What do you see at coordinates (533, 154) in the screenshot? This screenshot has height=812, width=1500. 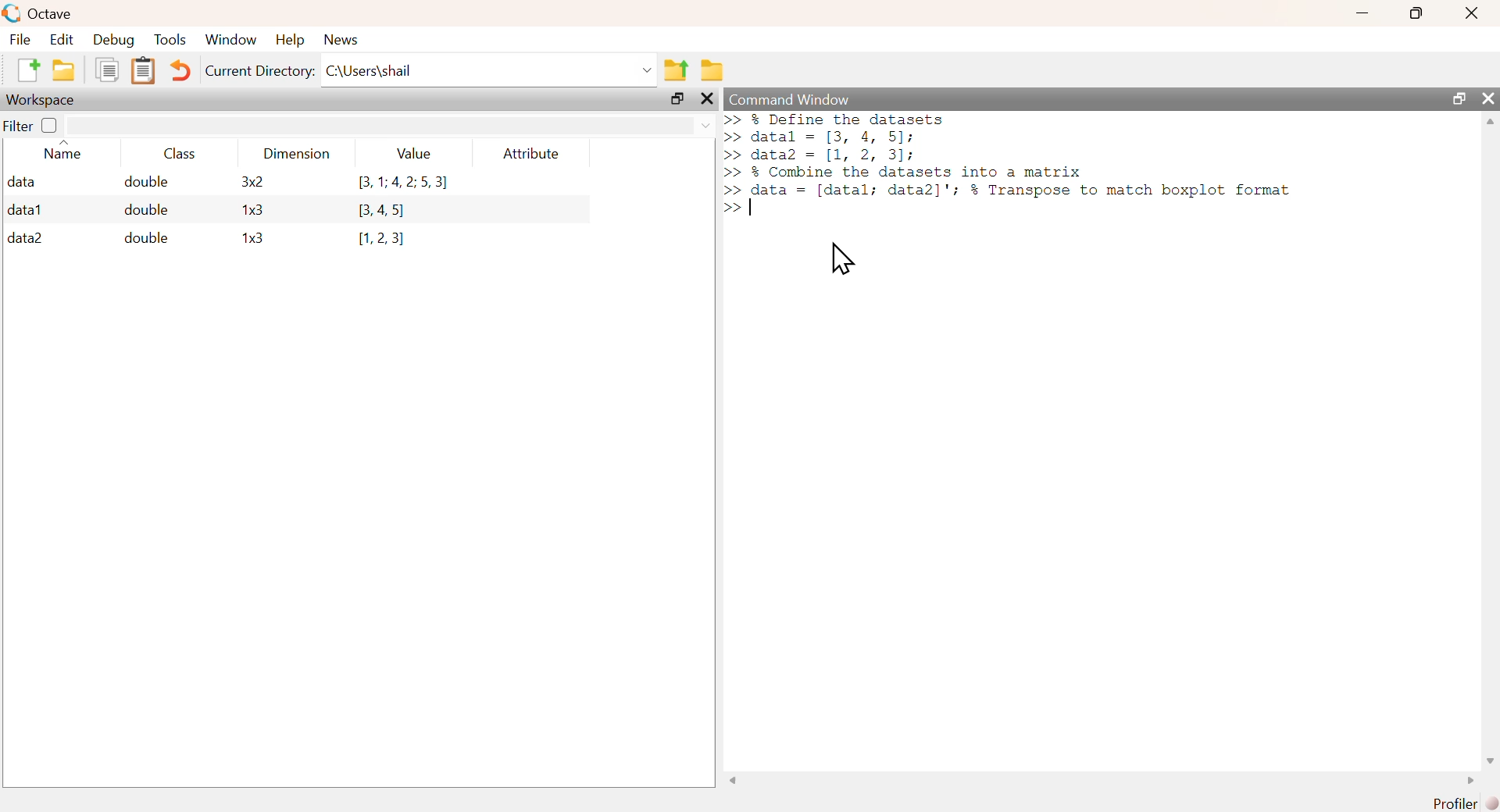 I see `Attribute` at bounding box center [533, 154].